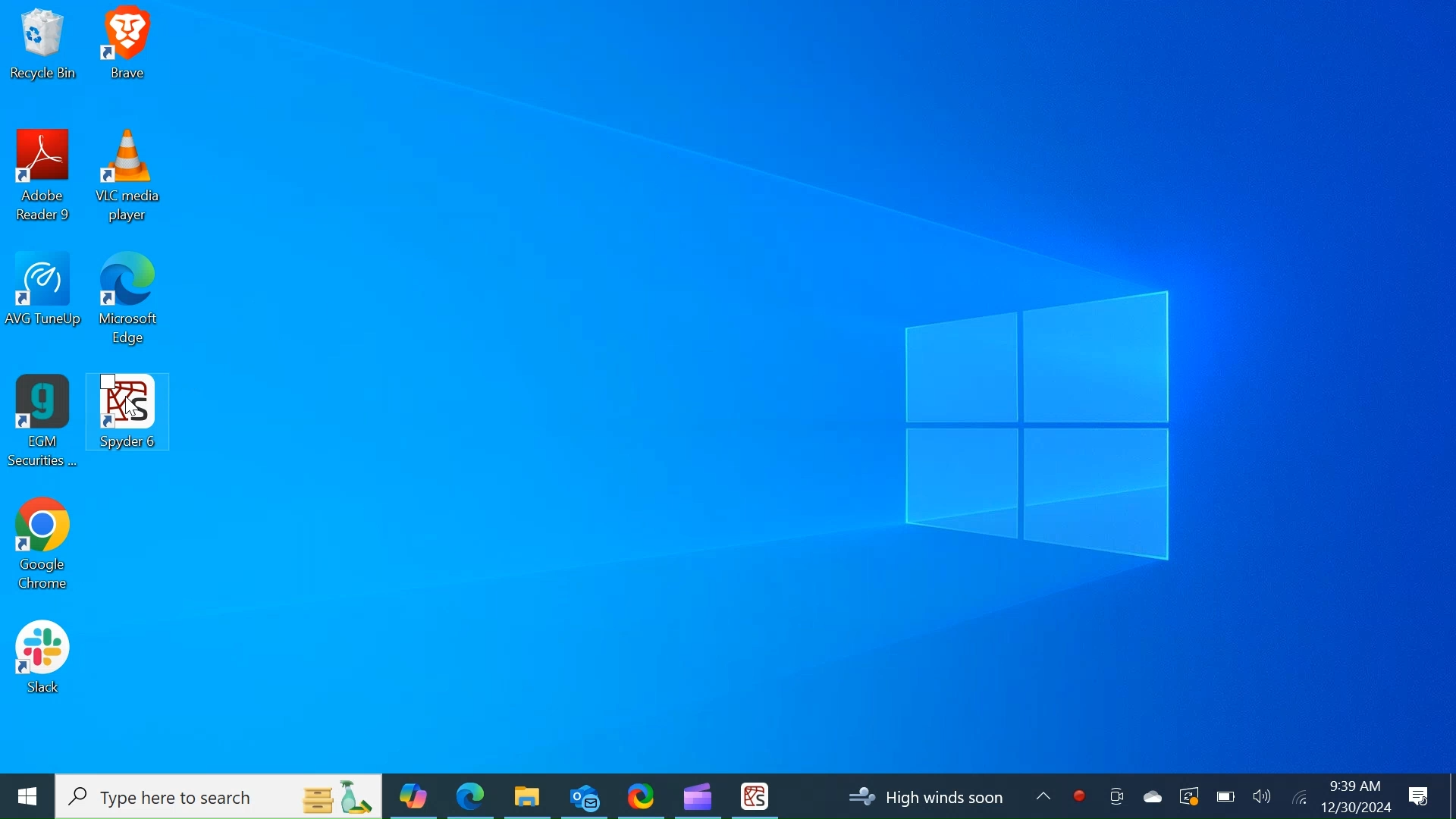 The height and width of the screenshot is (819, 1456). Describe the element at coordinates (129, 178) in the screenshot. I see `VLC Media Desktop Icon` at that location.